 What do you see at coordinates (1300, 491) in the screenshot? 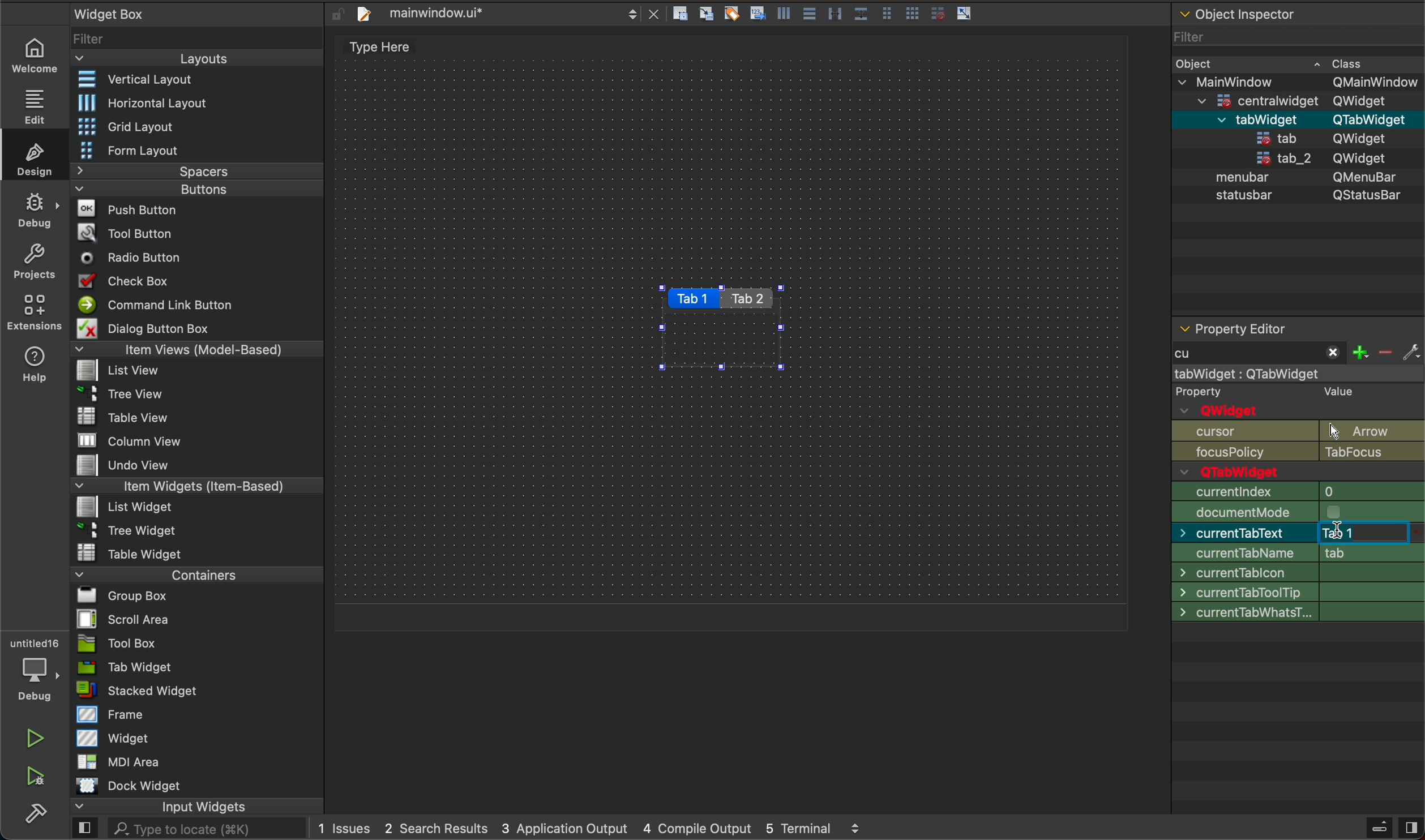
I see `geometry` at bounding box center [1300, 491].